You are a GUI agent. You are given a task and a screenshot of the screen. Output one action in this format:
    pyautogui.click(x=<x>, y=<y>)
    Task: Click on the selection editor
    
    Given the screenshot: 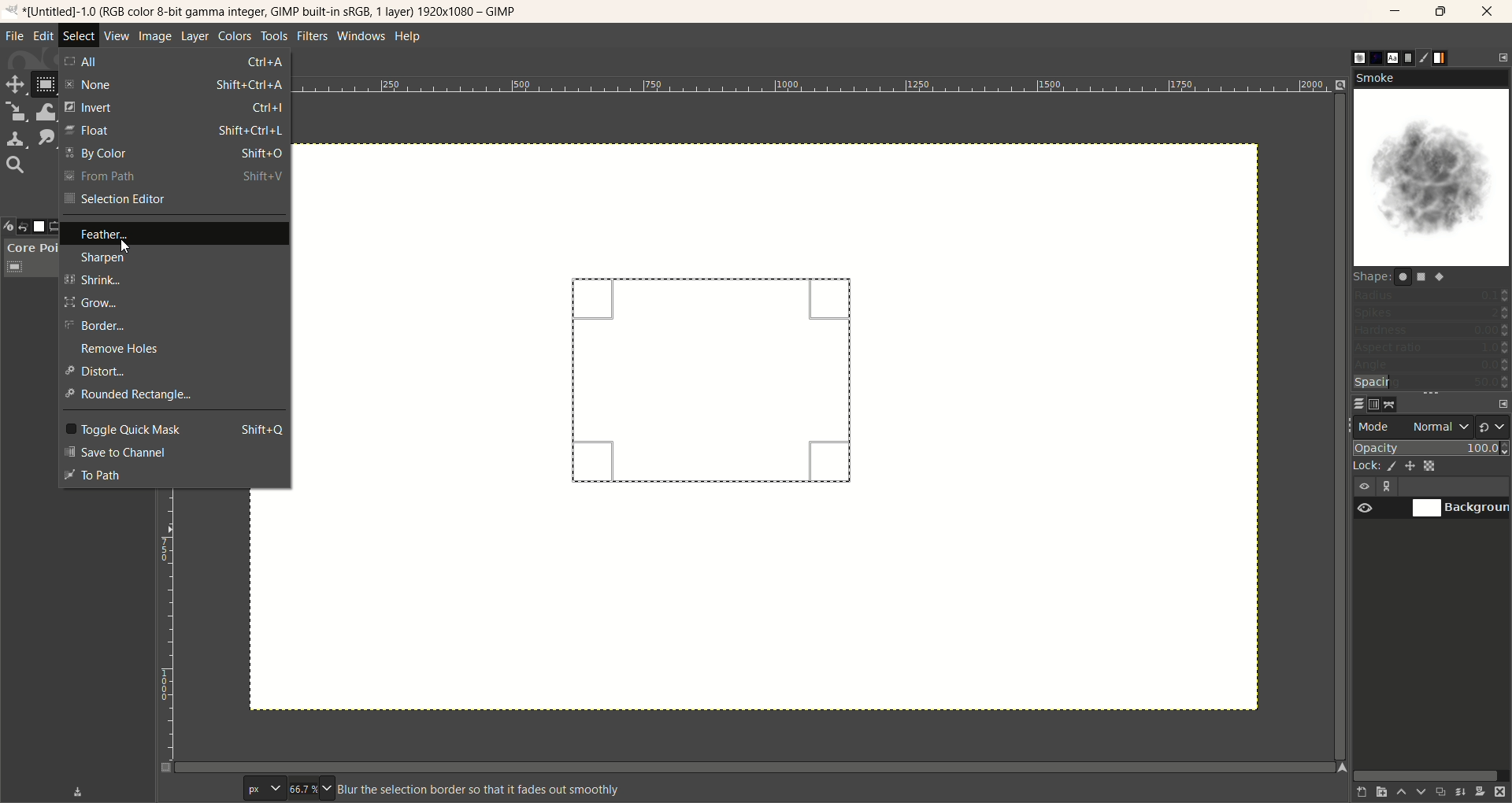 What is the action you would take?
    pyautogui.click(x=172, y=199)
    